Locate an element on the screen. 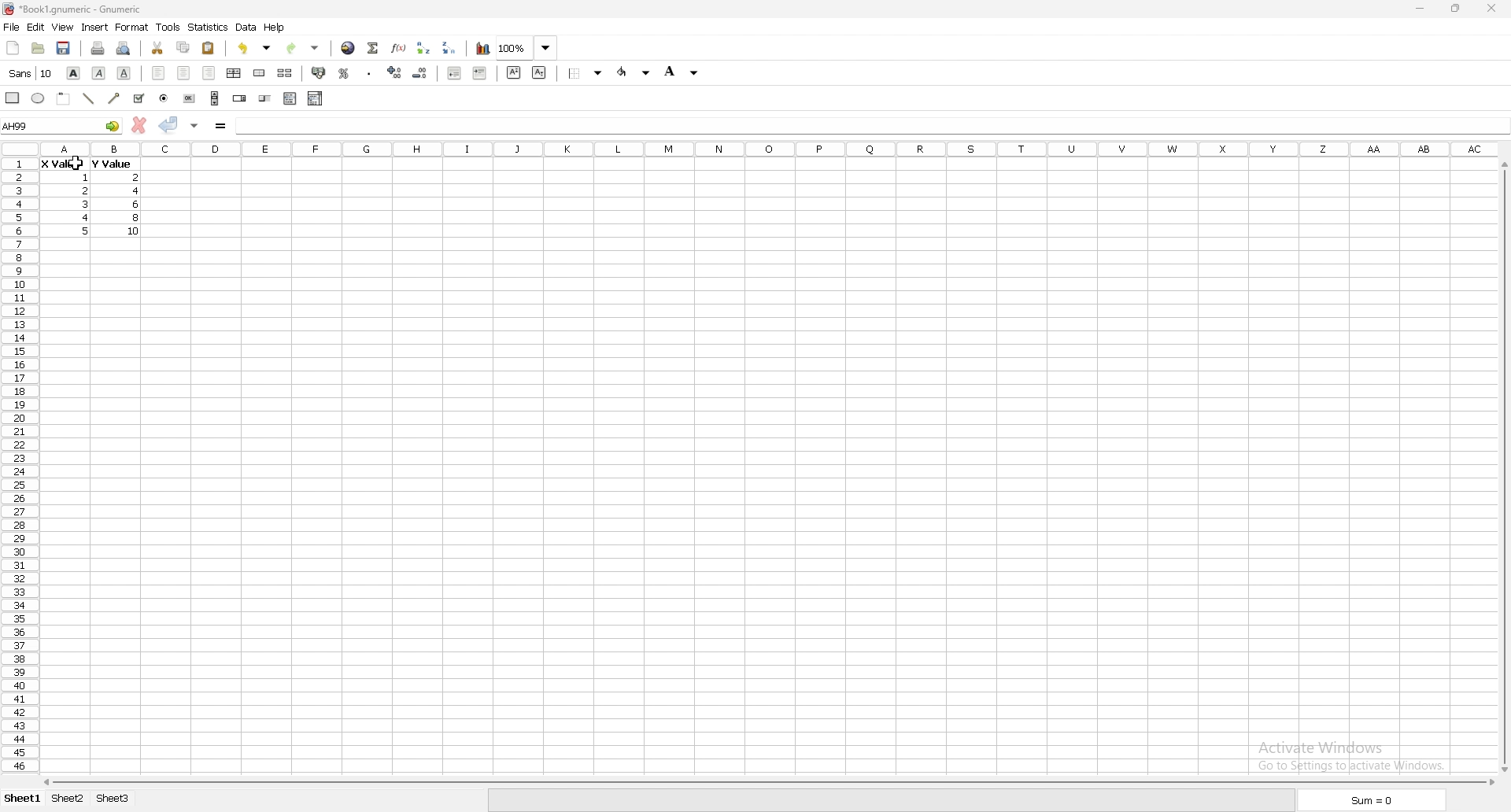  view is located at coordinates (62, 28).